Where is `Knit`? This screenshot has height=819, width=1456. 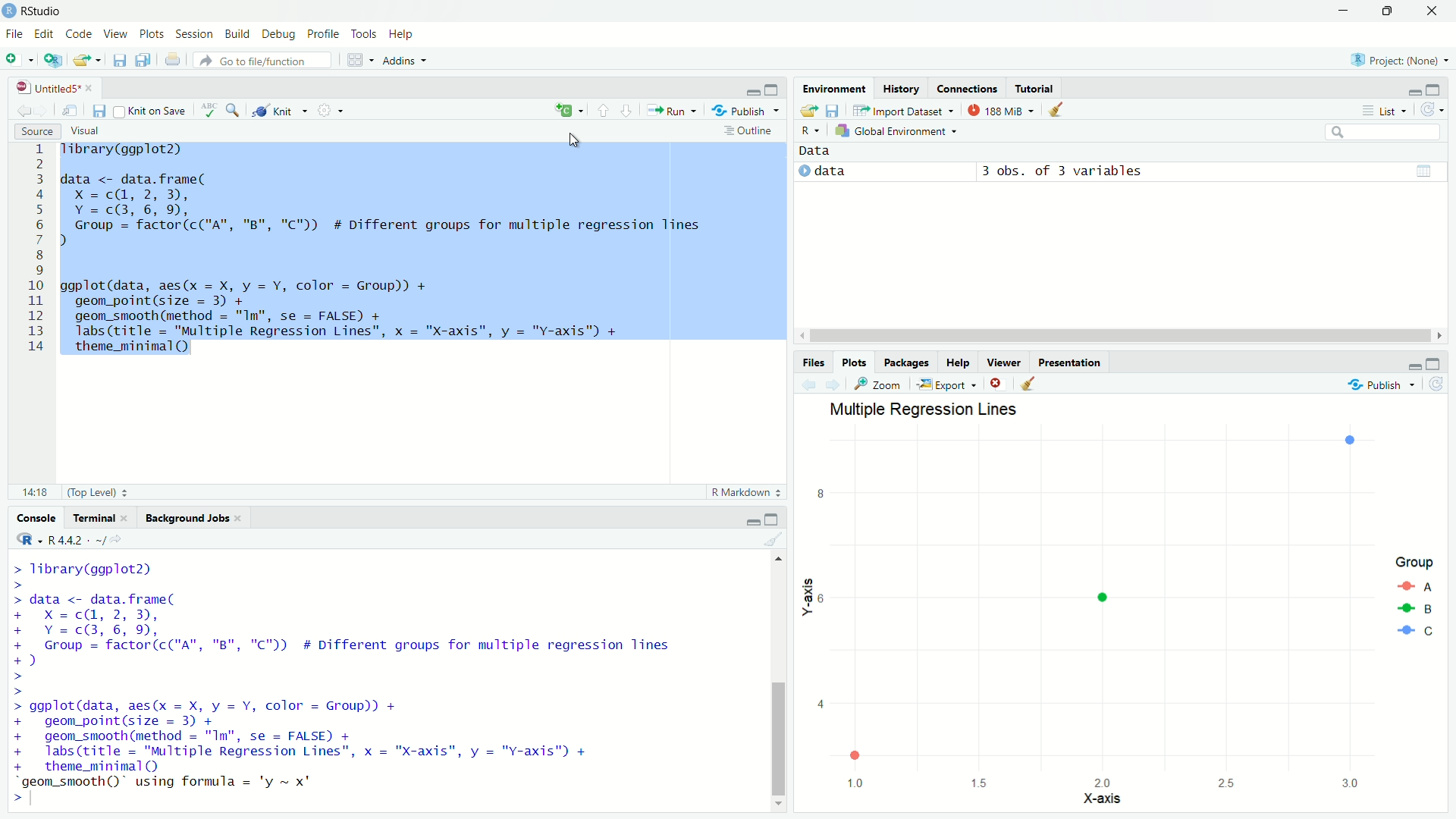 Knit is located at coordinates (281, 111).